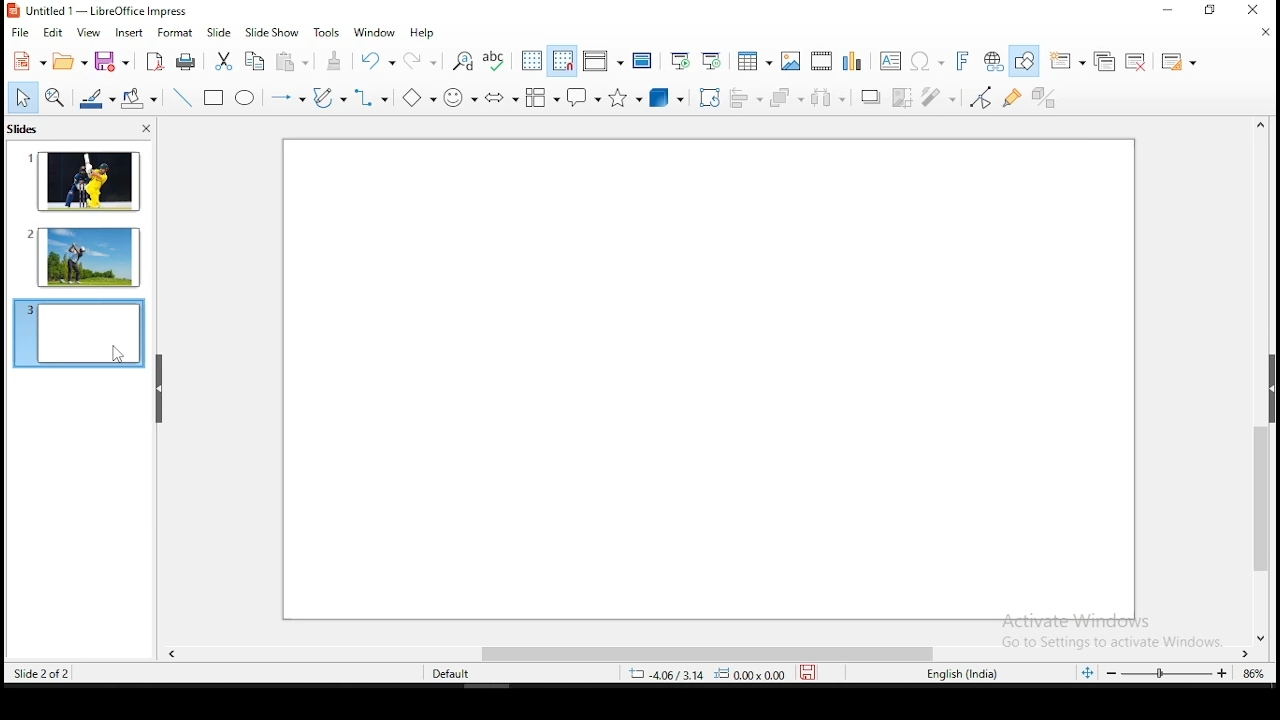  I want to click on stars and banners, so click(625, 97).